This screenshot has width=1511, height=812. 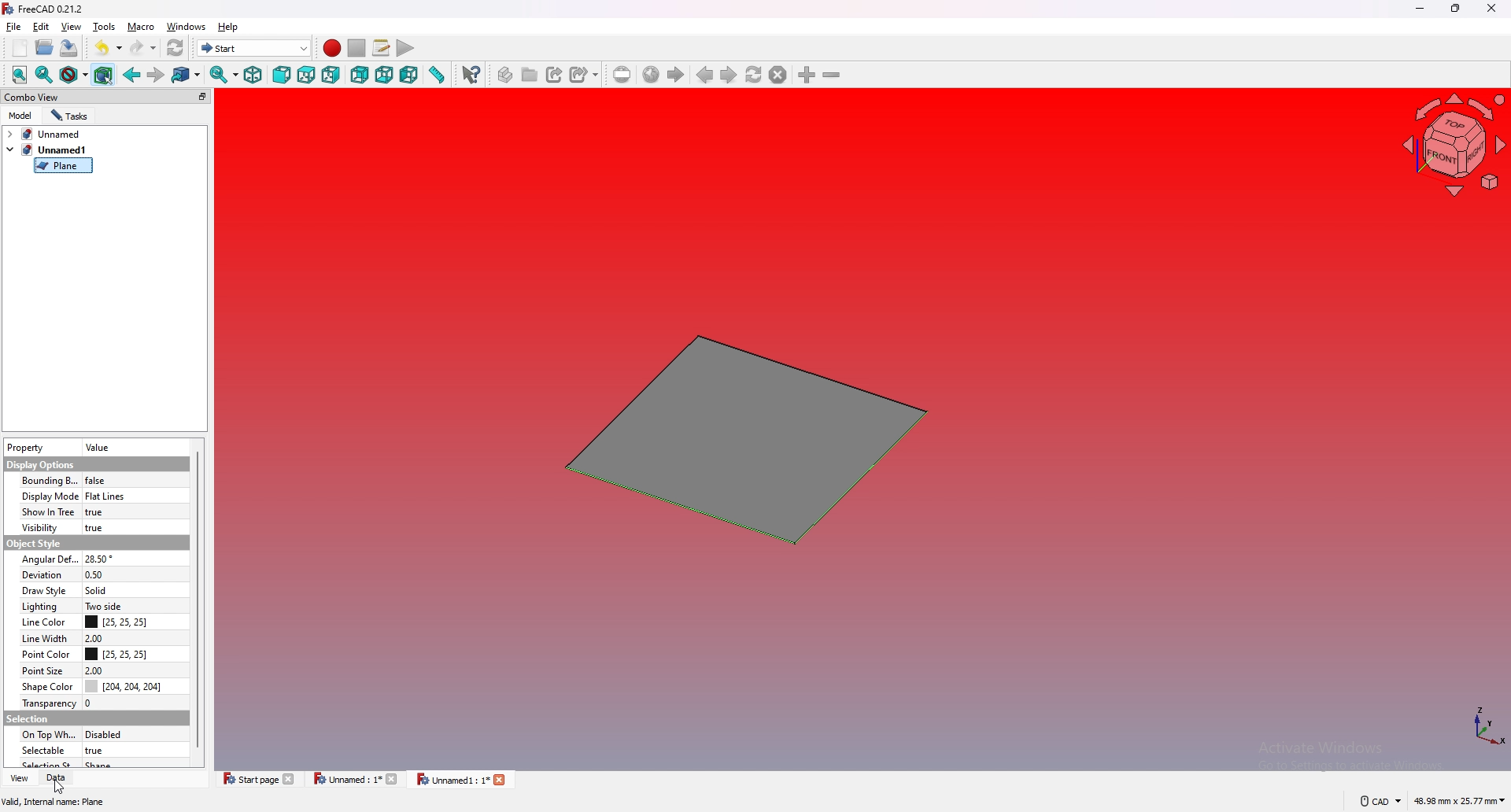 I want to click on plane, so click(x=63, y=166).